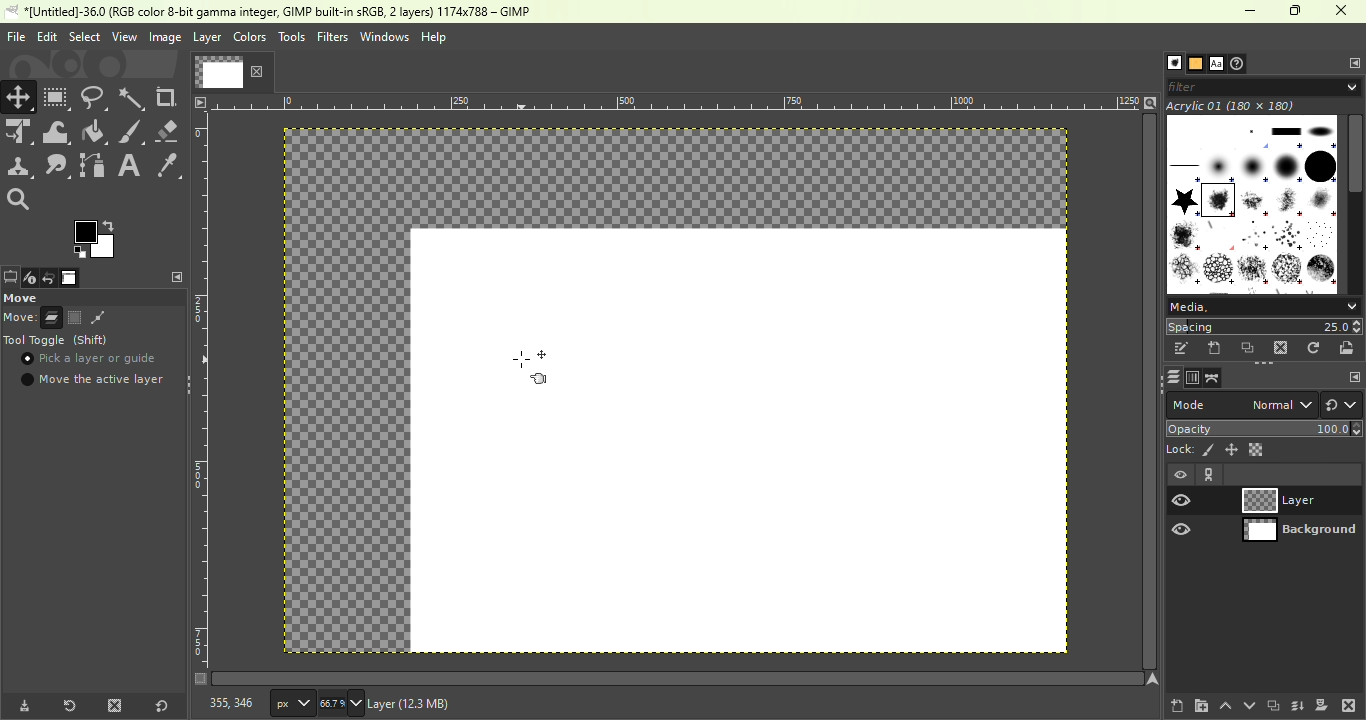 This screenshot has height=720, width=1366. What do you see at coordinates (126, 317) in the screenshot?
I see `Intersect with the current selection` at bounding box center [126, 317].